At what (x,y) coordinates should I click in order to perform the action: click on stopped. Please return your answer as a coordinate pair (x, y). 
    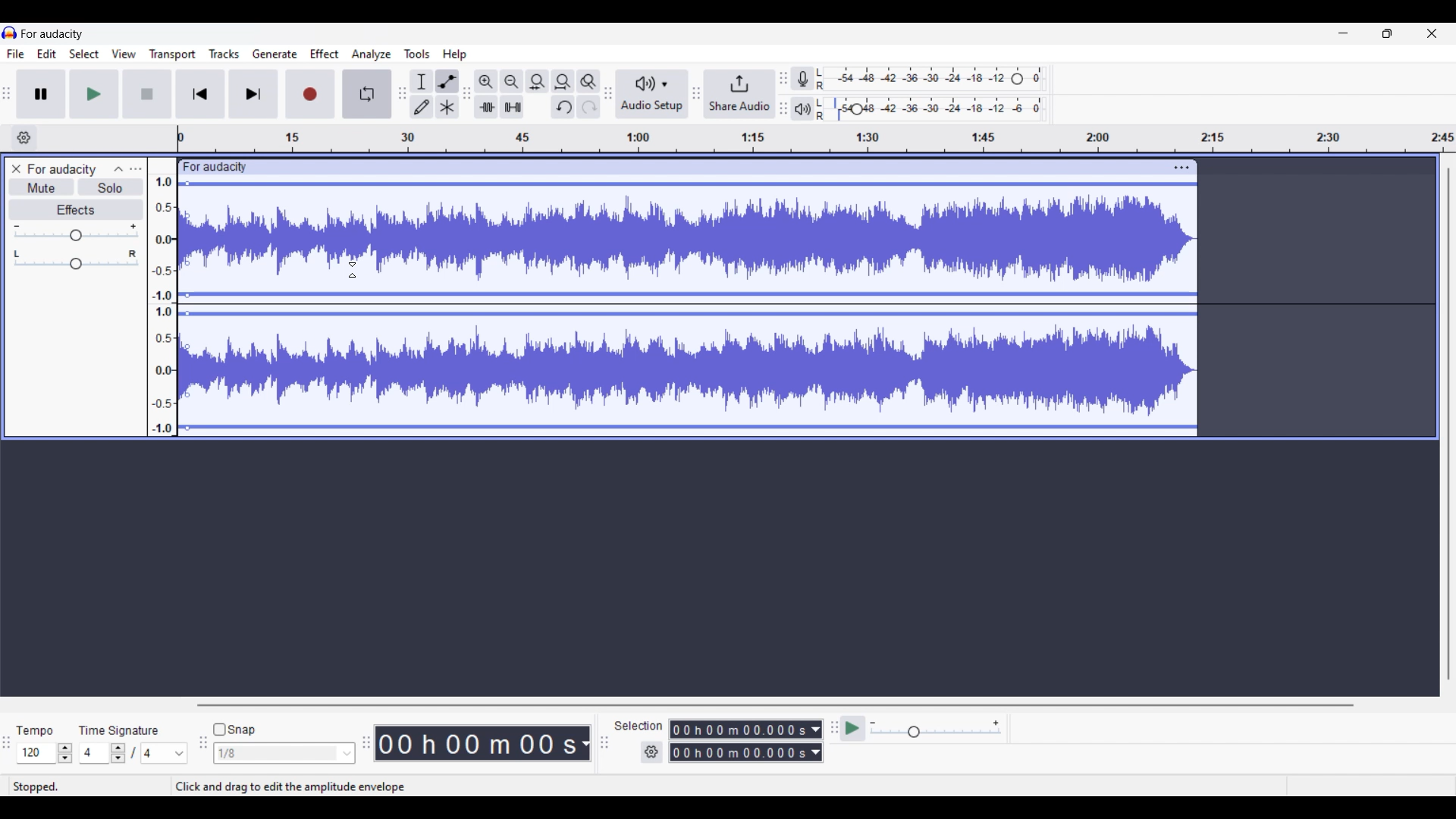
    Looking at the image, I should click on (36, 787).